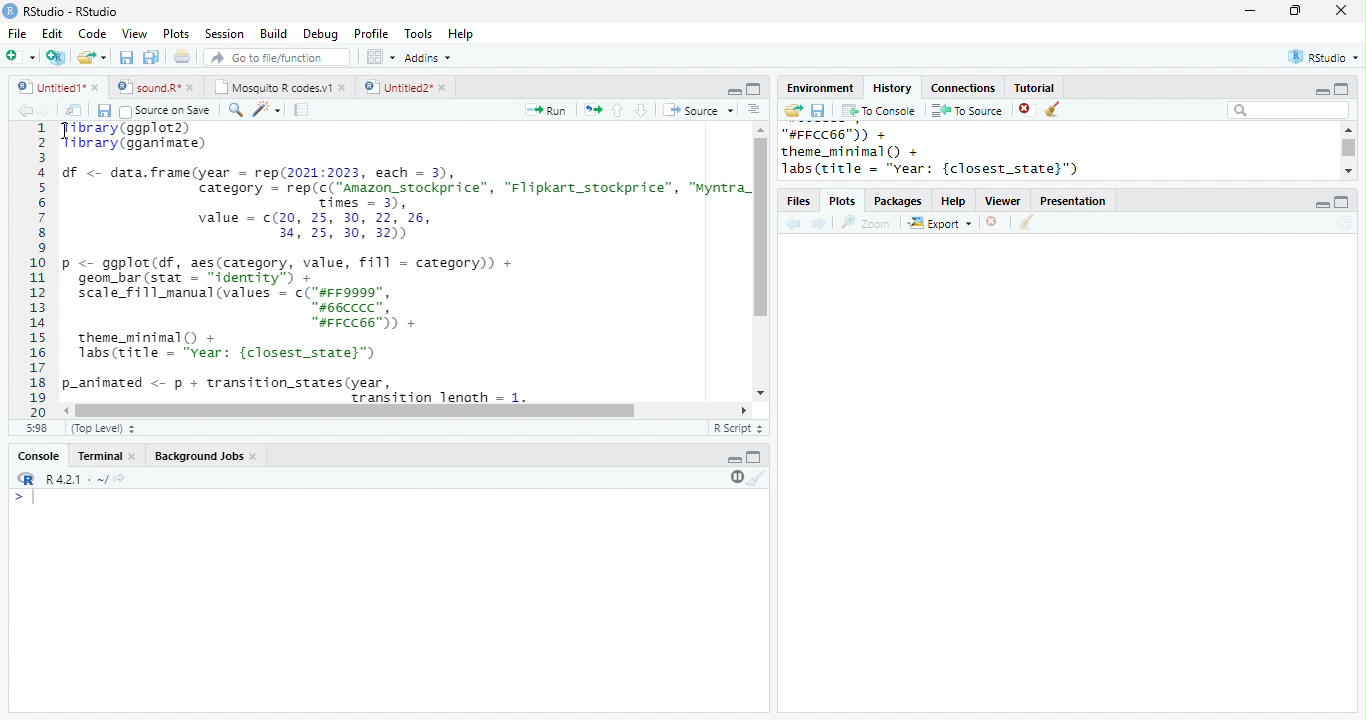 Image resolution: width=1366 pixels, height=720 pixels. Describe the element at coordinates (52, 33) in the screenshot. I see `Edit` at that location.